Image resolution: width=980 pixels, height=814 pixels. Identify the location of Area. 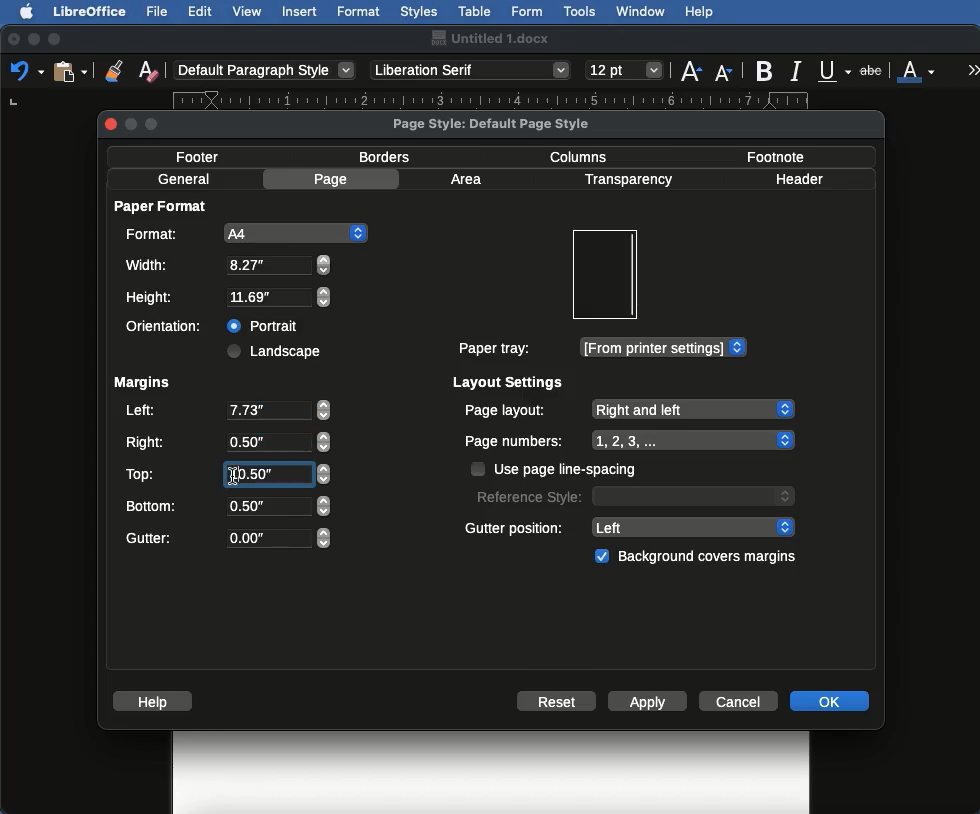
(469, 179).